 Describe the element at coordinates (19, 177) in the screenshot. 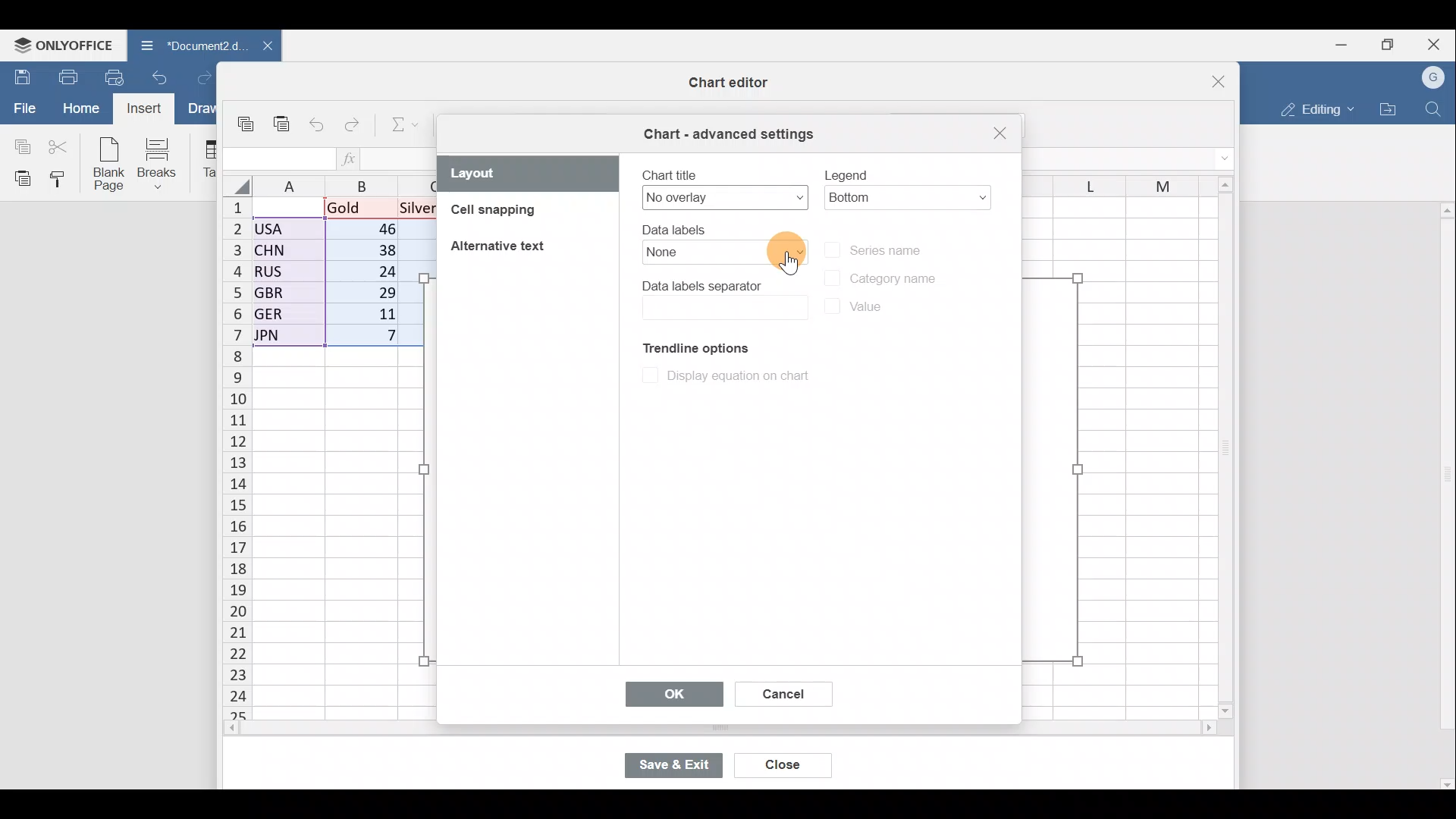

I see `Paste` at that location.